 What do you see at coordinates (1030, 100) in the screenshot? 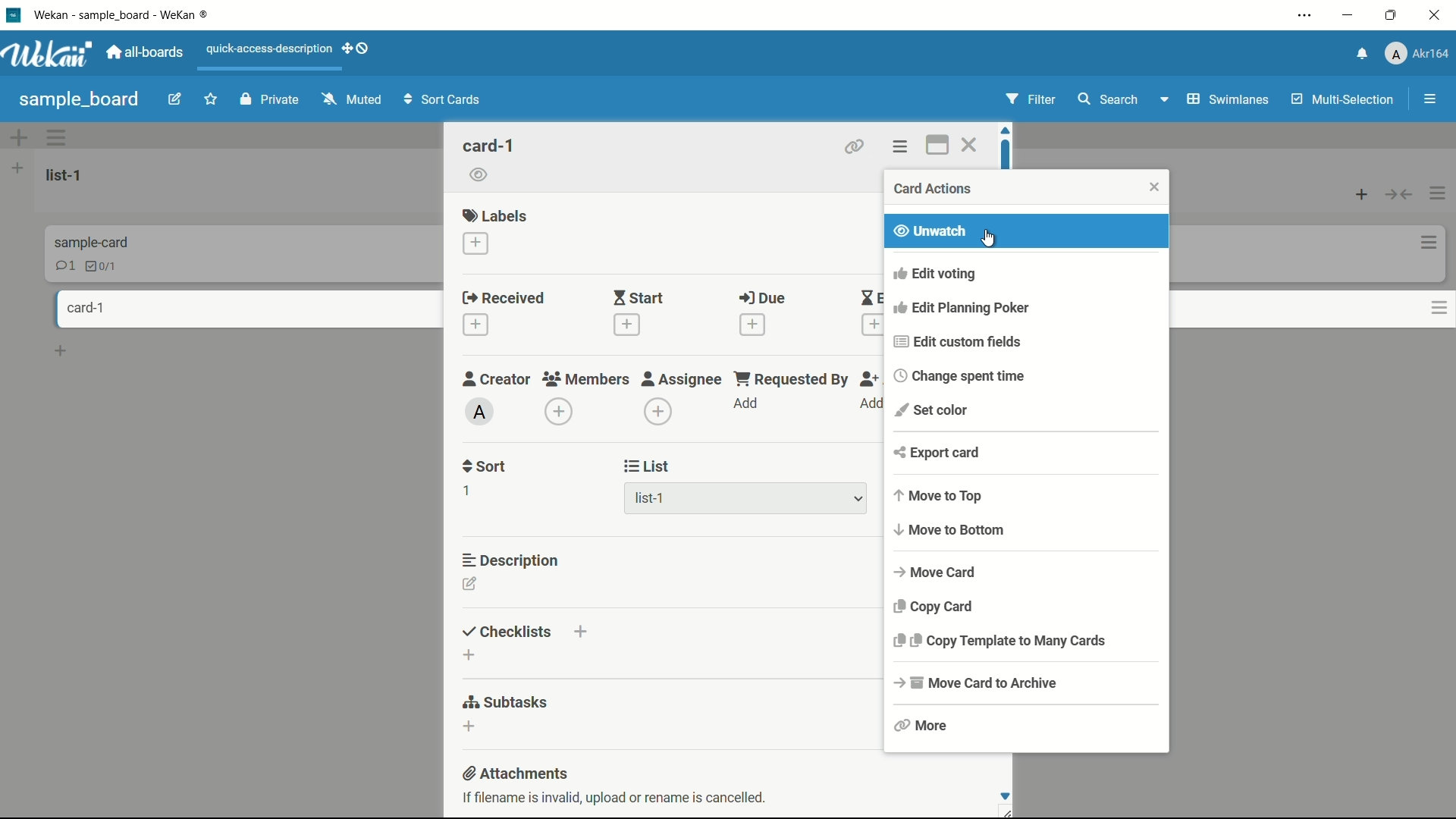
I see `filter` at bounding box center [1030, 100].